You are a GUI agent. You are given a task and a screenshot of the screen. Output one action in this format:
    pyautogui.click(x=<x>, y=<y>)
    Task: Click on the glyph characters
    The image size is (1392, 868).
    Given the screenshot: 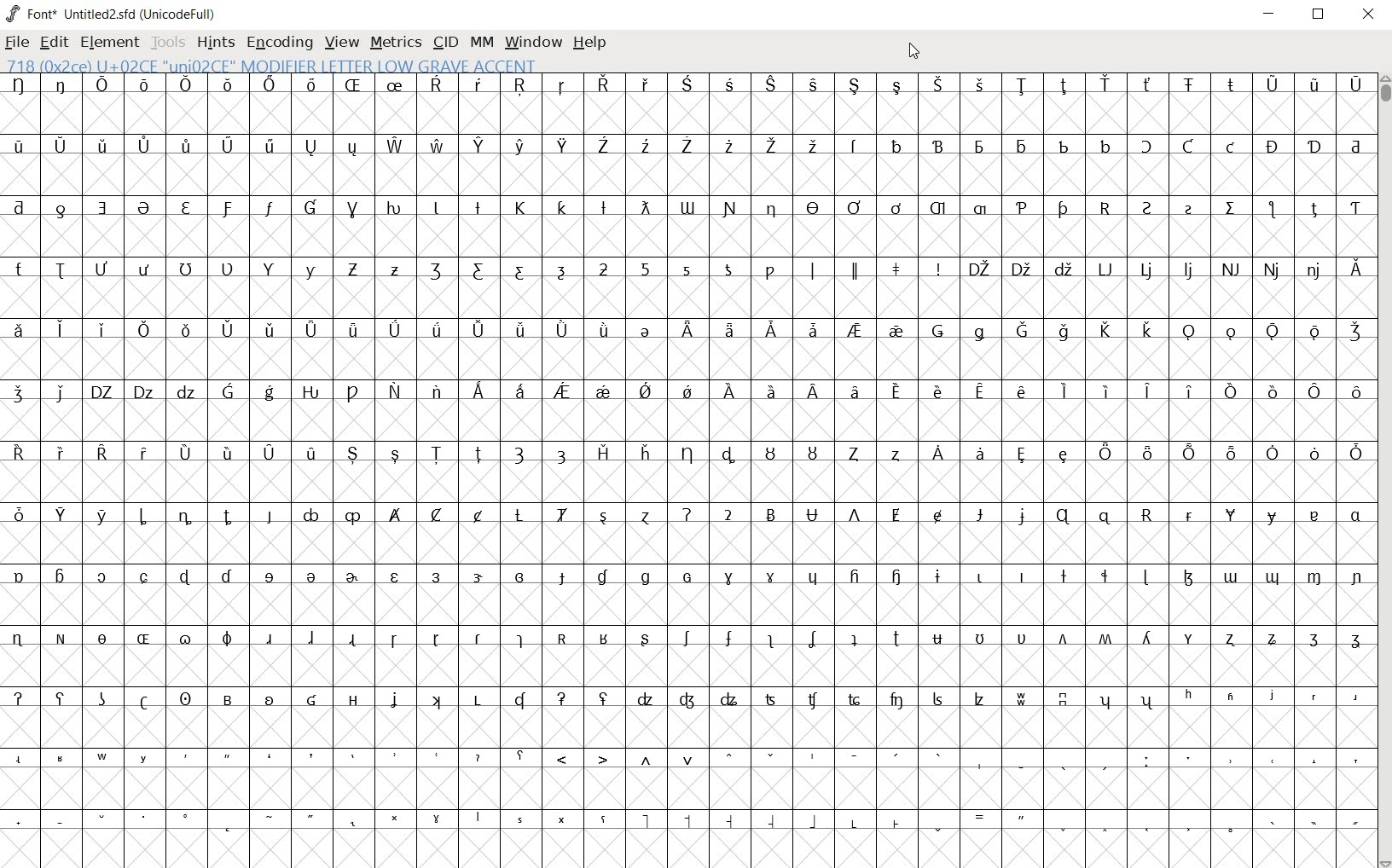 What is the action you would take?
    pyautogui.click(x=686, y=470)
    